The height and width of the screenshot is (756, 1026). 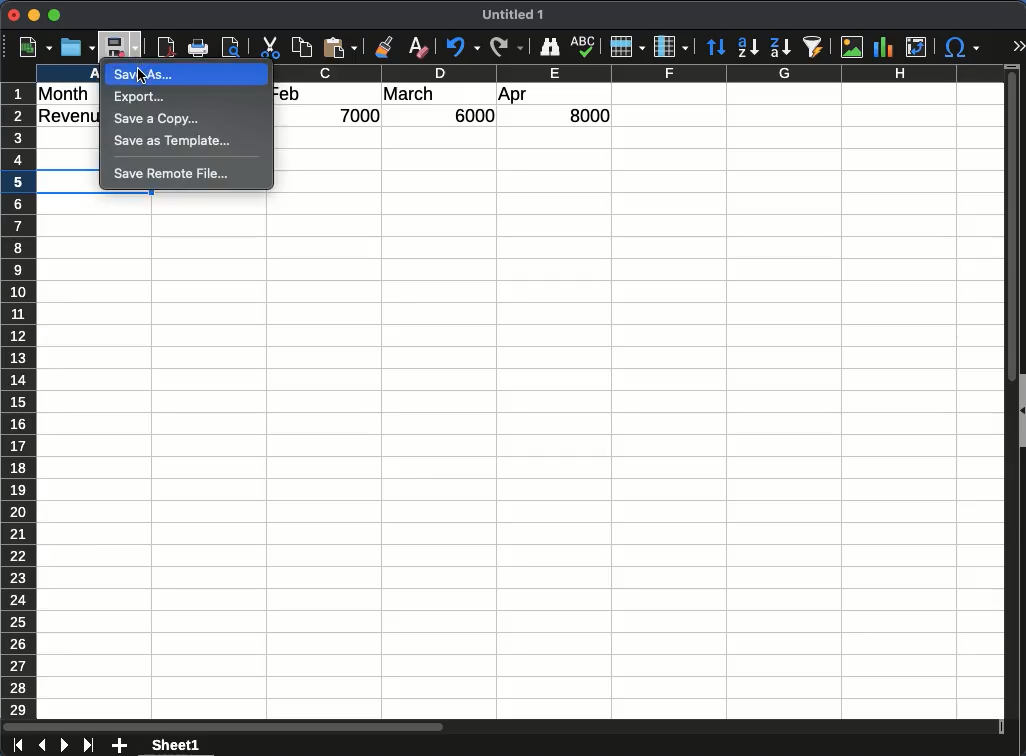 What do you see at coordinates (140, 75) in the screenshot?
I see `save as` at bounding box center [140, 75].